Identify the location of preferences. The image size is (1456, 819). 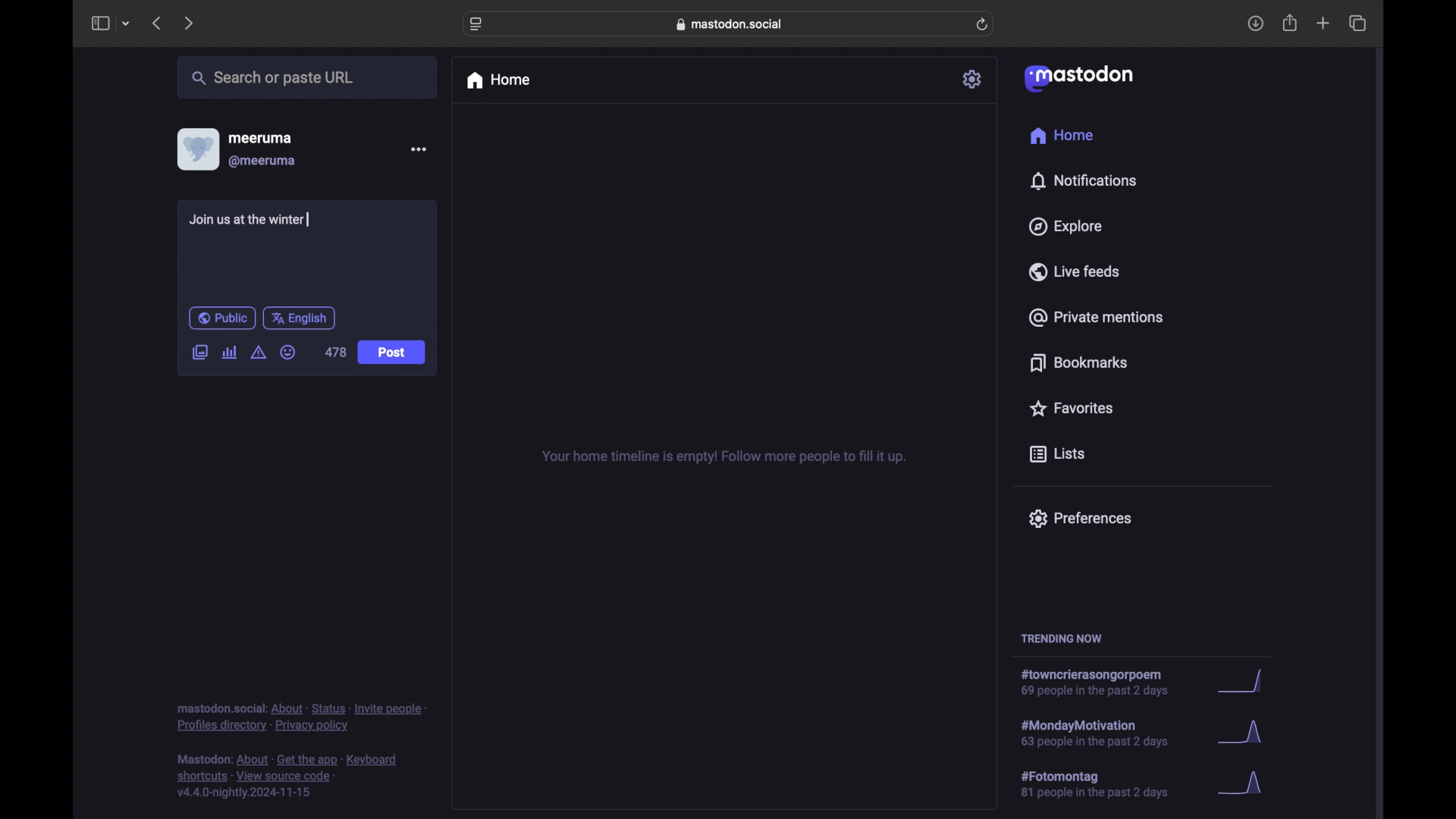
(1079, 517).